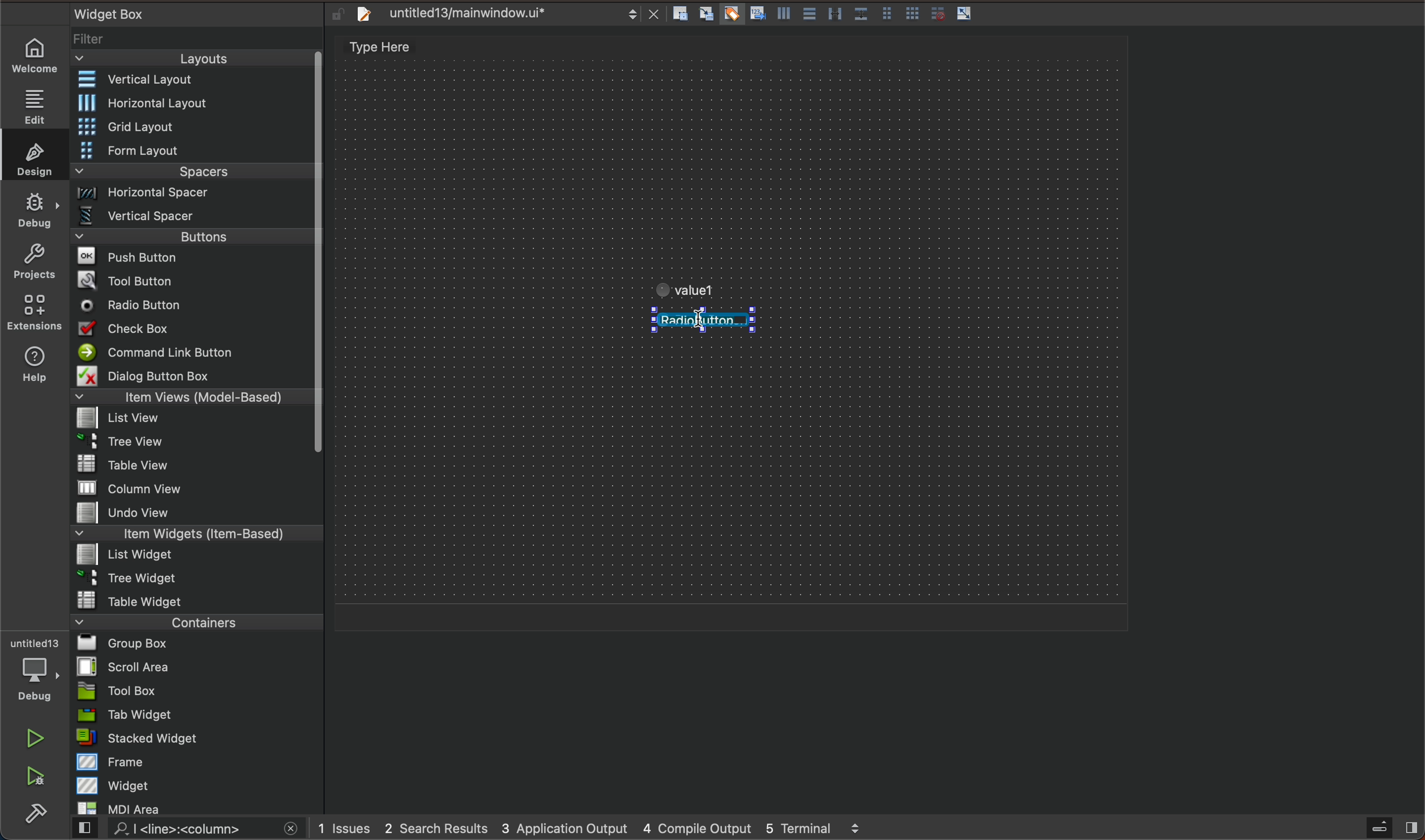 The height and width of the screenshot is (840, 1425). Describe the element at coordinates (199, 761) in the screenshot. I see `frame` at that location.